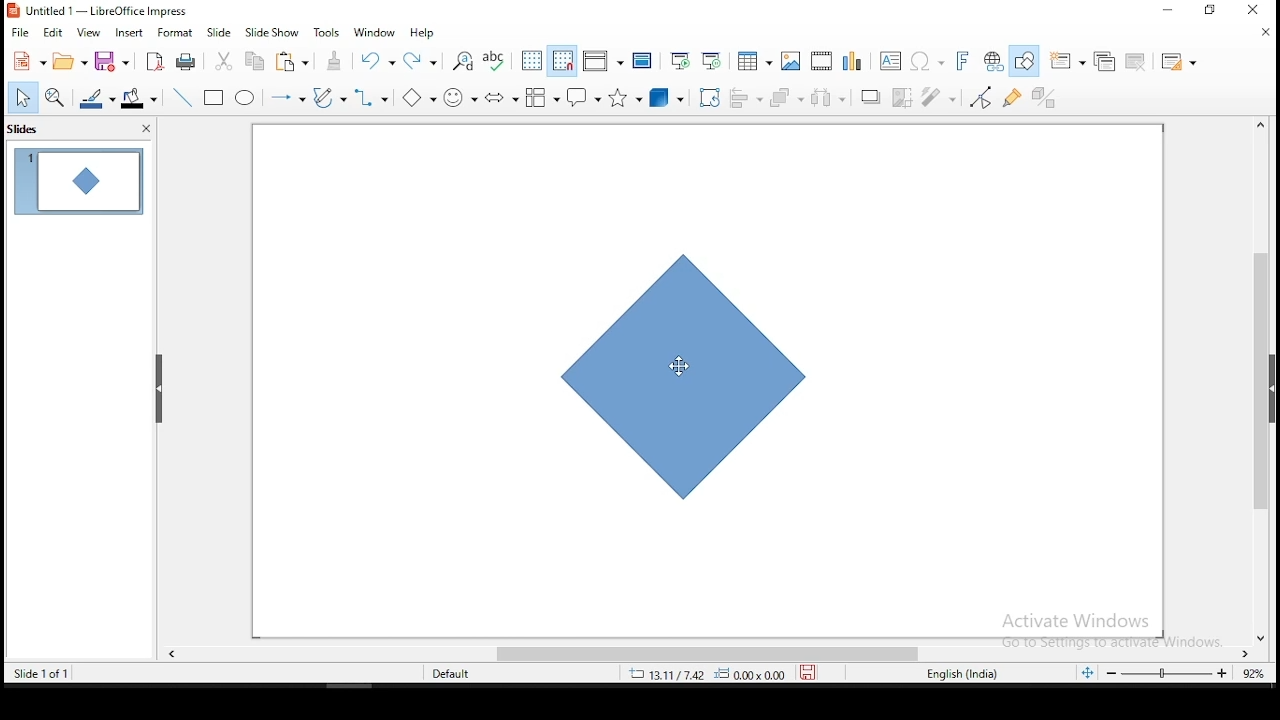 This screenshot has width=1280, height=720. Describe the element at coordinates (155, 61) in the screenshot. I see `export as pdf` at that location.